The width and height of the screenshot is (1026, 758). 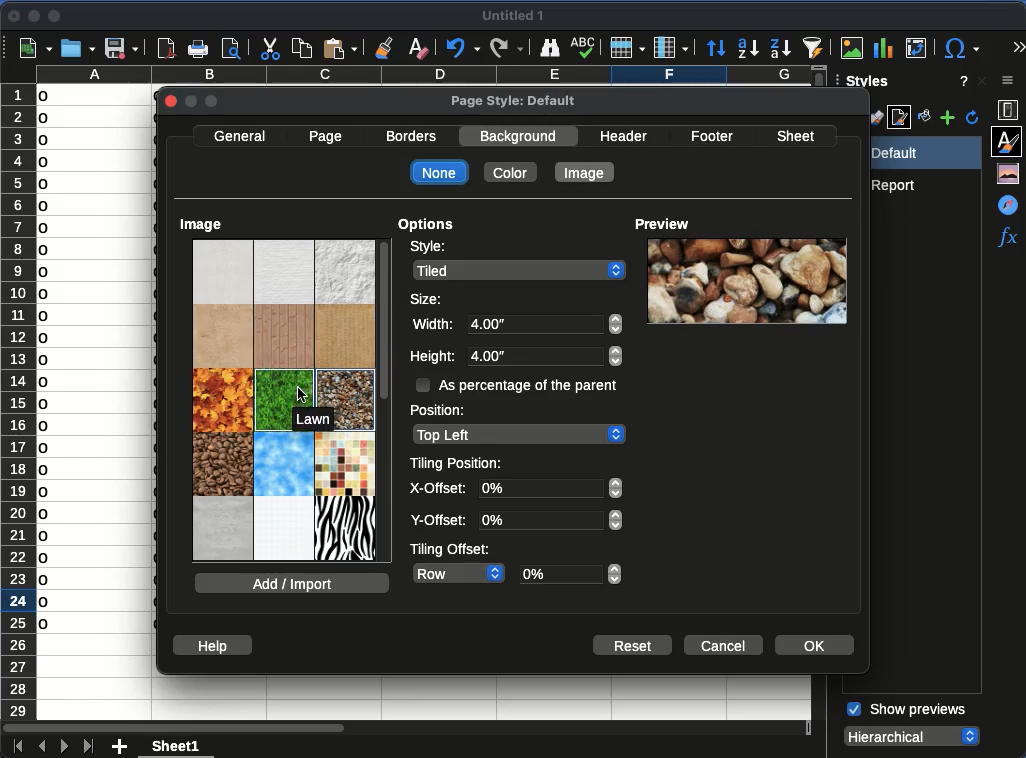 I want to click on help, so click(x=210, y=644).